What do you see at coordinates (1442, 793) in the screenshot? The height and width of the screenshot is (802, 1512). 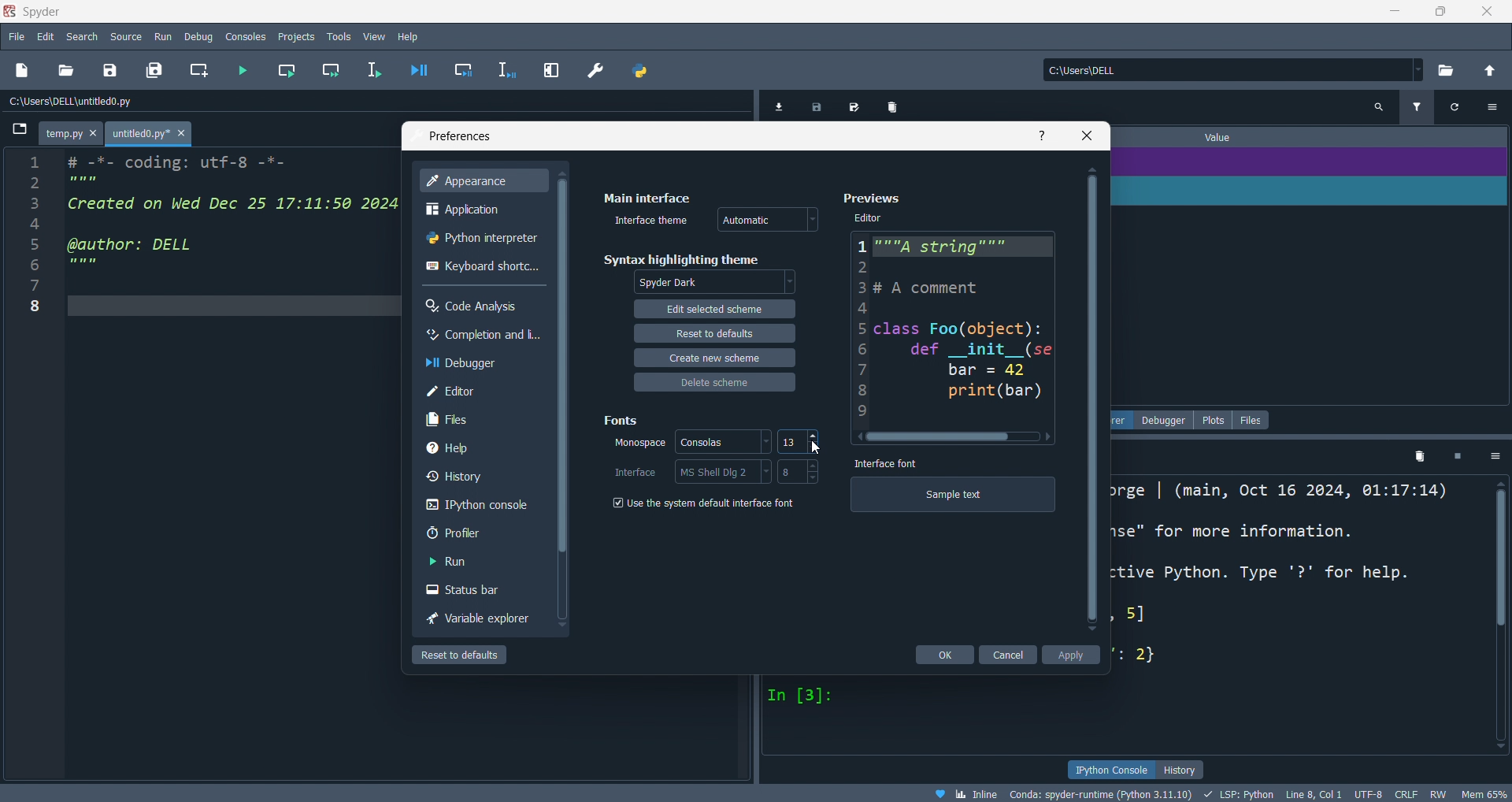 I see `RW` at bounding box center [1442, 793].